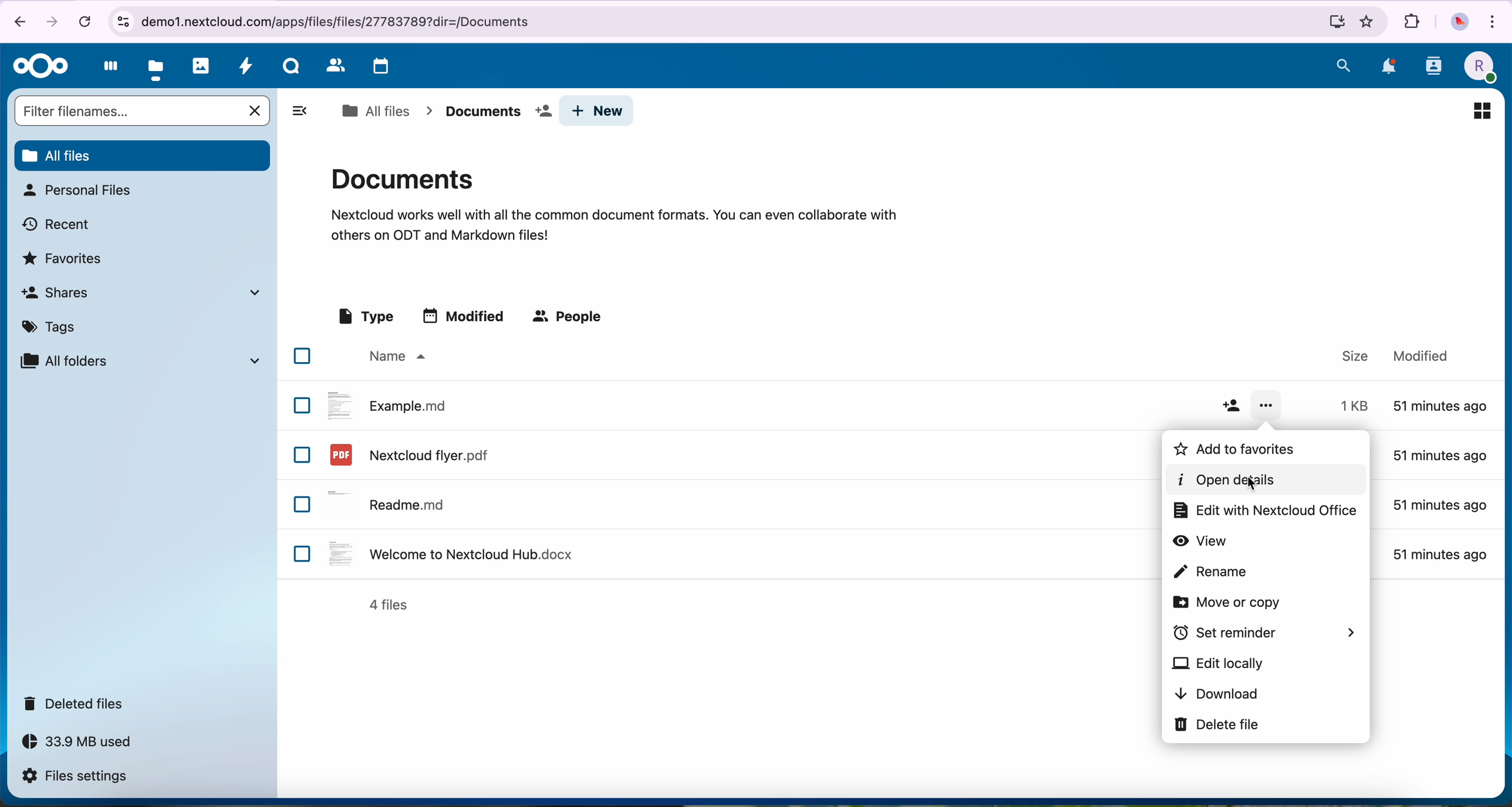  I want to click on checkbox, so click(302, 404).